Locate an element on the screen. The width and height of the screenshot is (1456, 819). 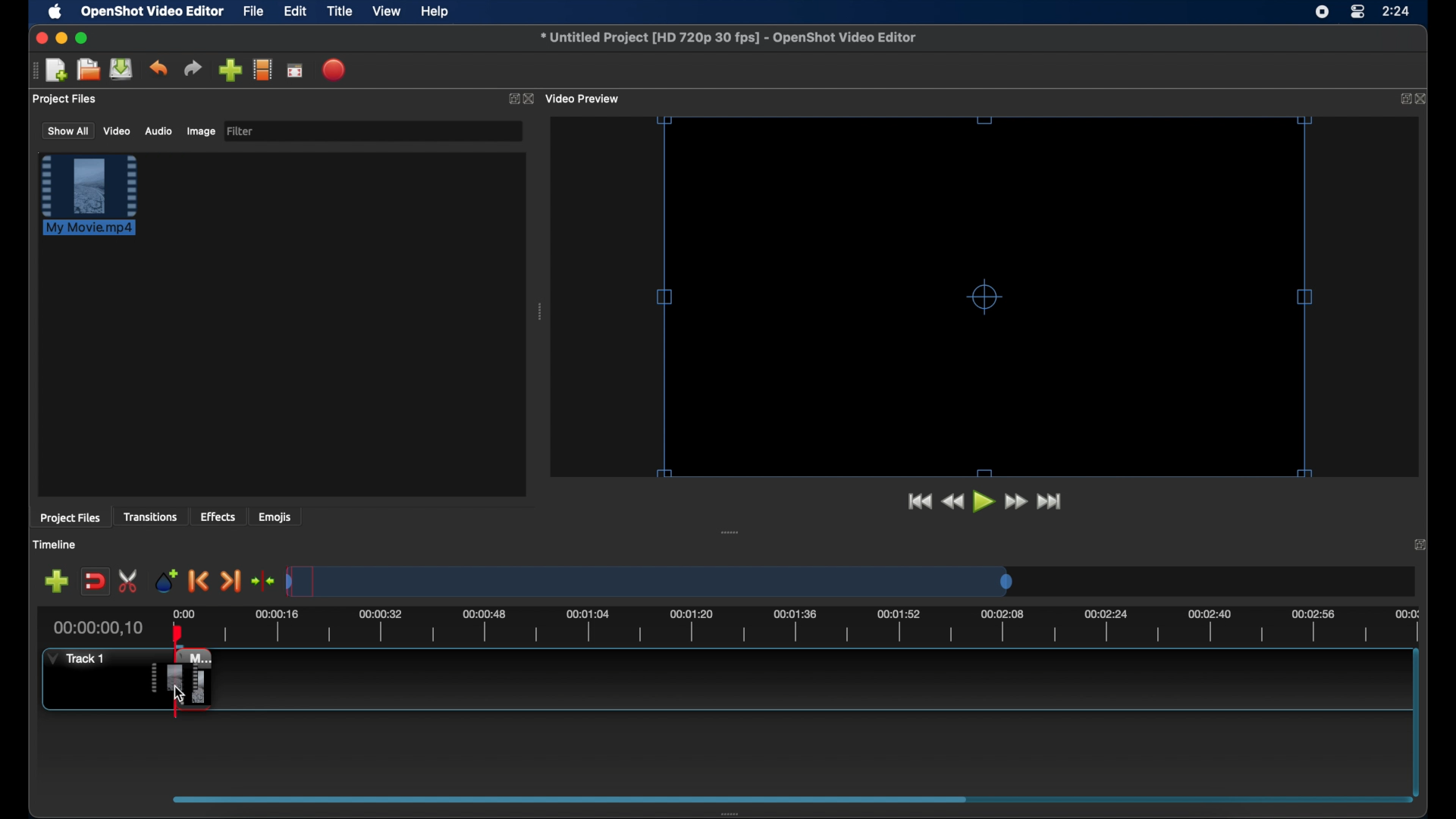
0.00 is located at coordinates (185, 611).